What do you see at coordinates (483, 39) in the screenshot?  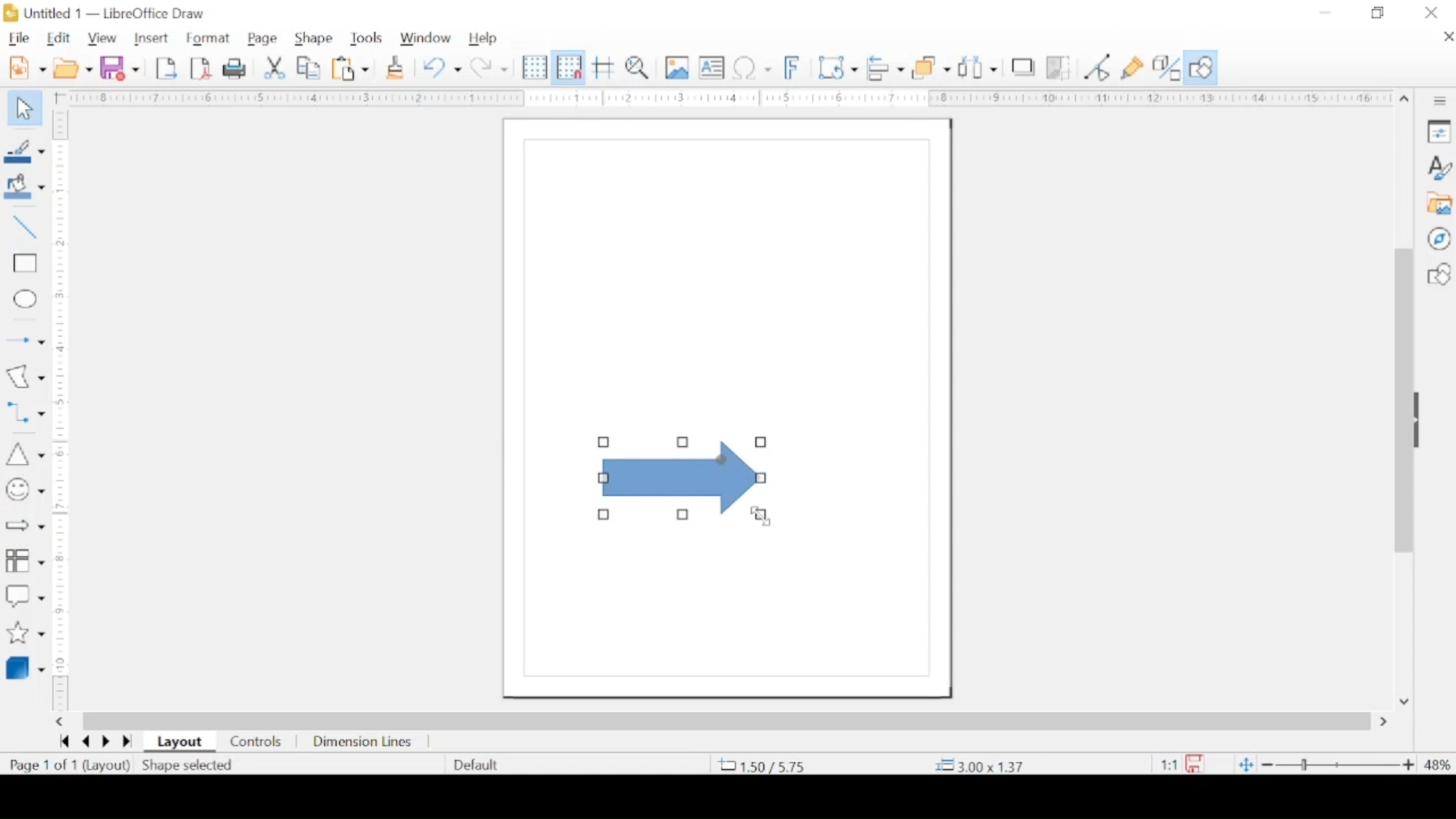 I see `help` at bounding box center [483, 39].